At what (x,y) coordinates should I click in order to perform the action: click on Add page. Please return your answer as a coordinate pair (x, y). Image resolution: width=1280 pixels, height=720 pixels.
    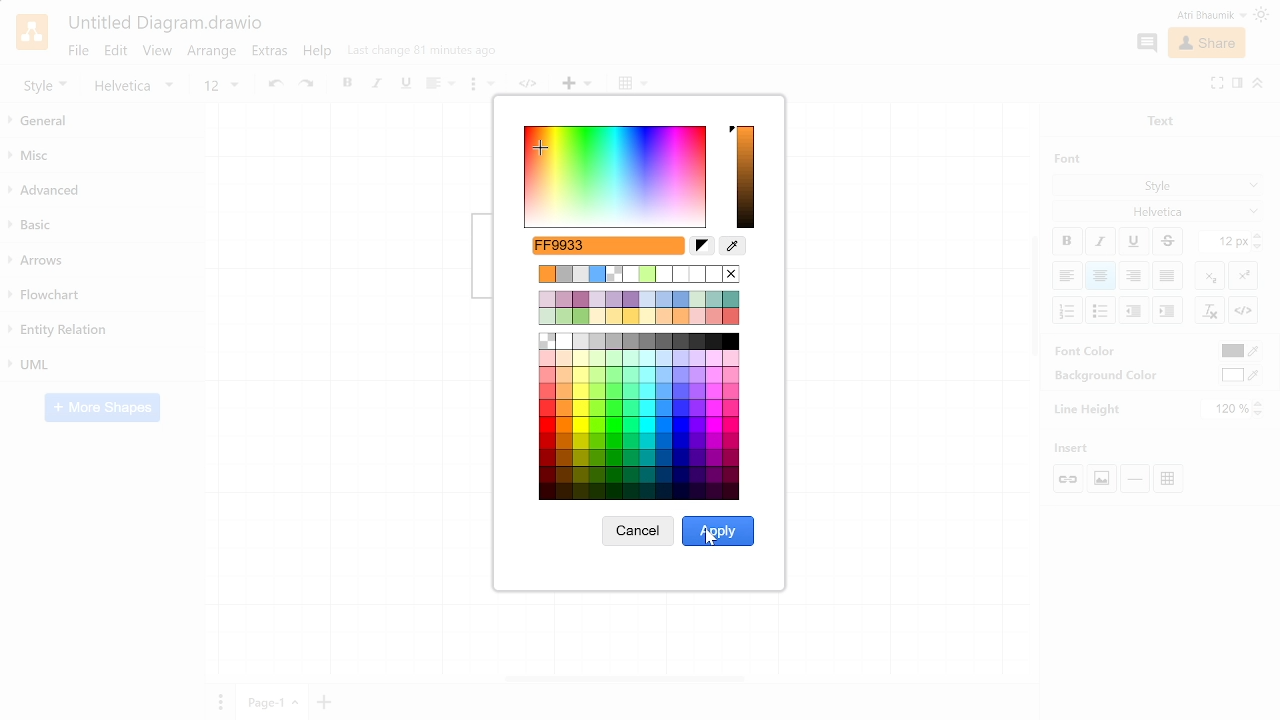
    Looking at the image, I should click on (327, 701).